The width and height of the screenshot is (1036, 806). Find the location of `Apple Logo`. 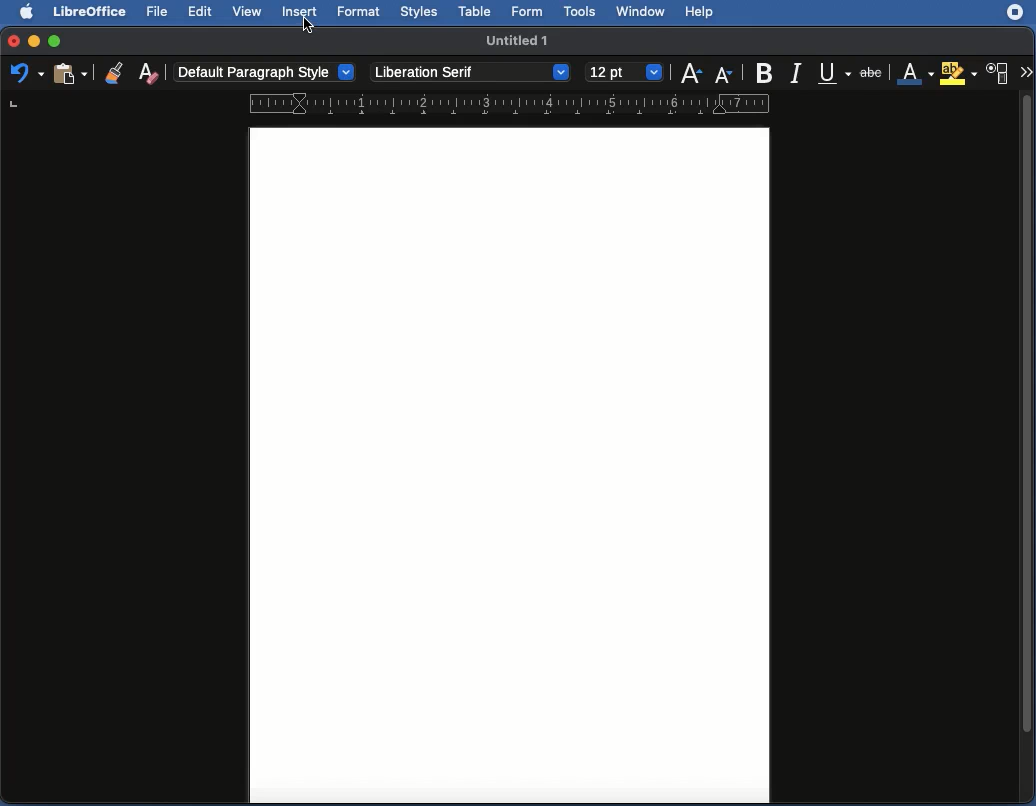

Apple Logo is located at coordinates (24, 12).